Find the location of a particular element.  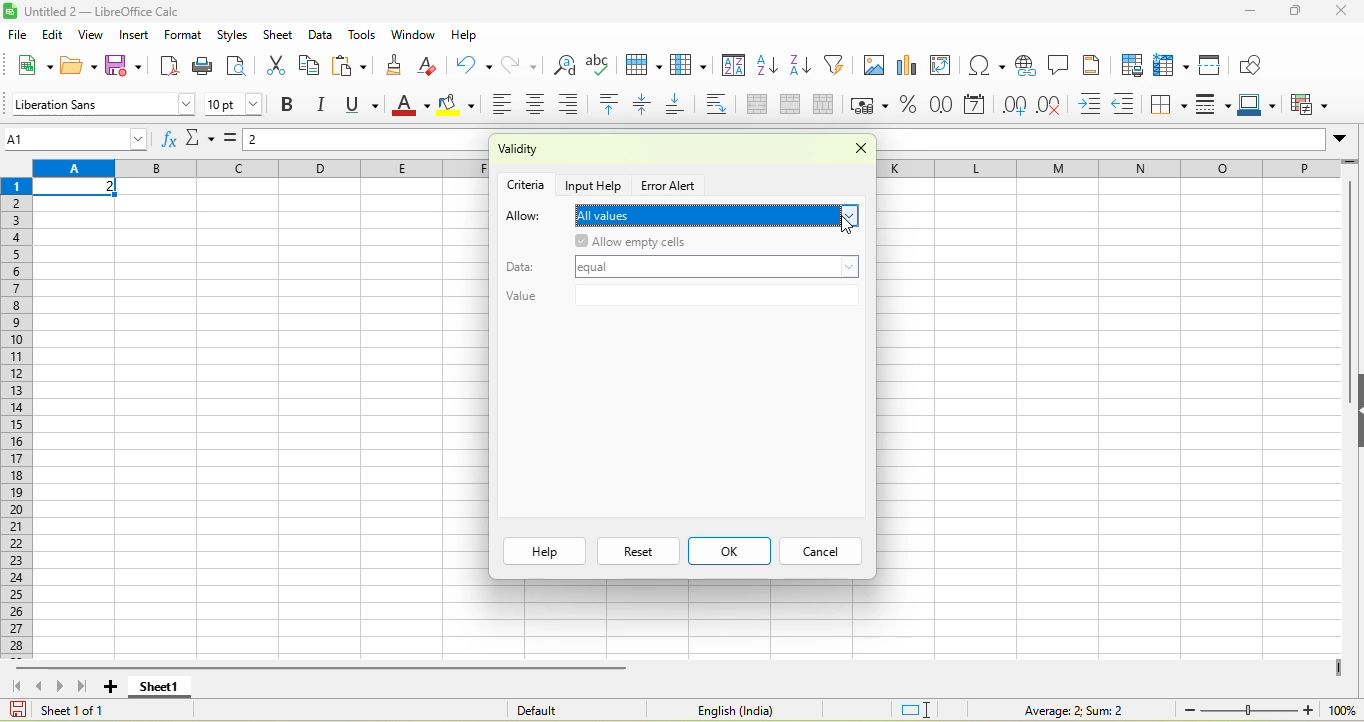

formula is located at coordinates (234, 143).